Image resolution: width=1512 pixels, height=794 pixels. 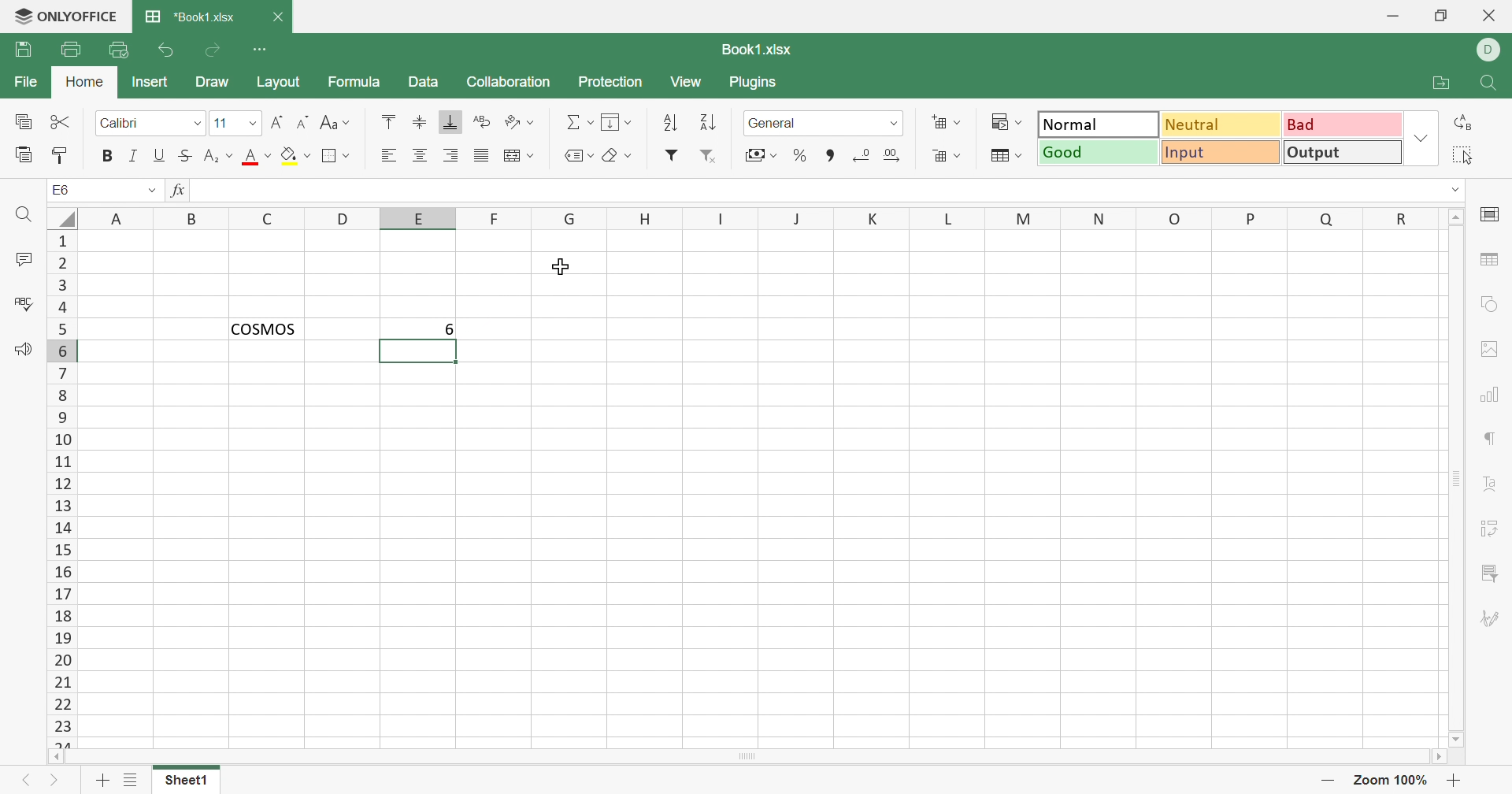 I want to click on Decrement font size, so click(x=303, y=121).